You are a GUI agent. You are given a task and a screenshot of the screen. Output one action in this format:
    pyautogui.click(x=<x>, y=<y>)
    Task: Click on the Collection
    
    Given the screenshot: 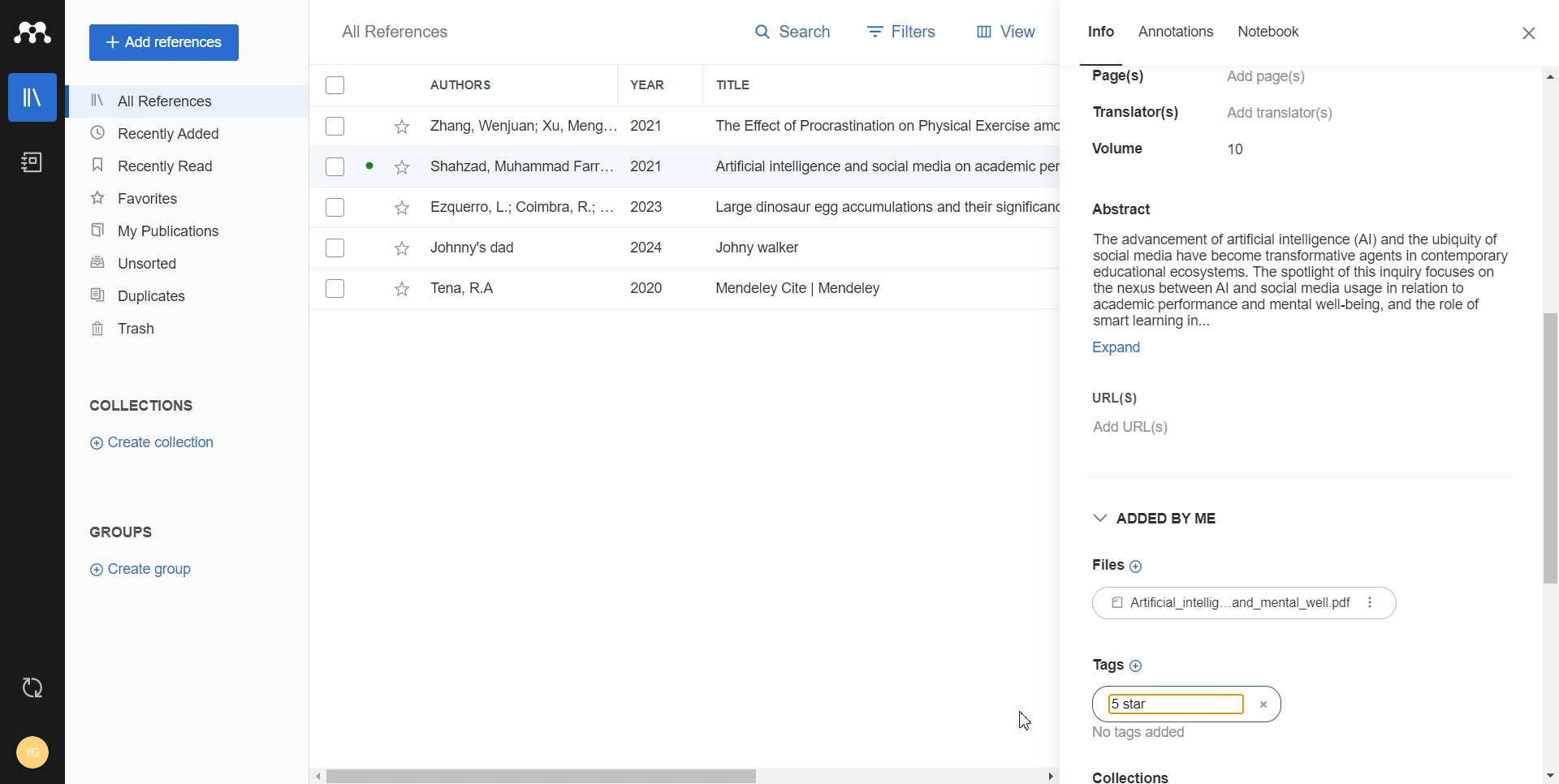 What is the action you would take?
    pyautogui.click(x=1218, y=773)
    